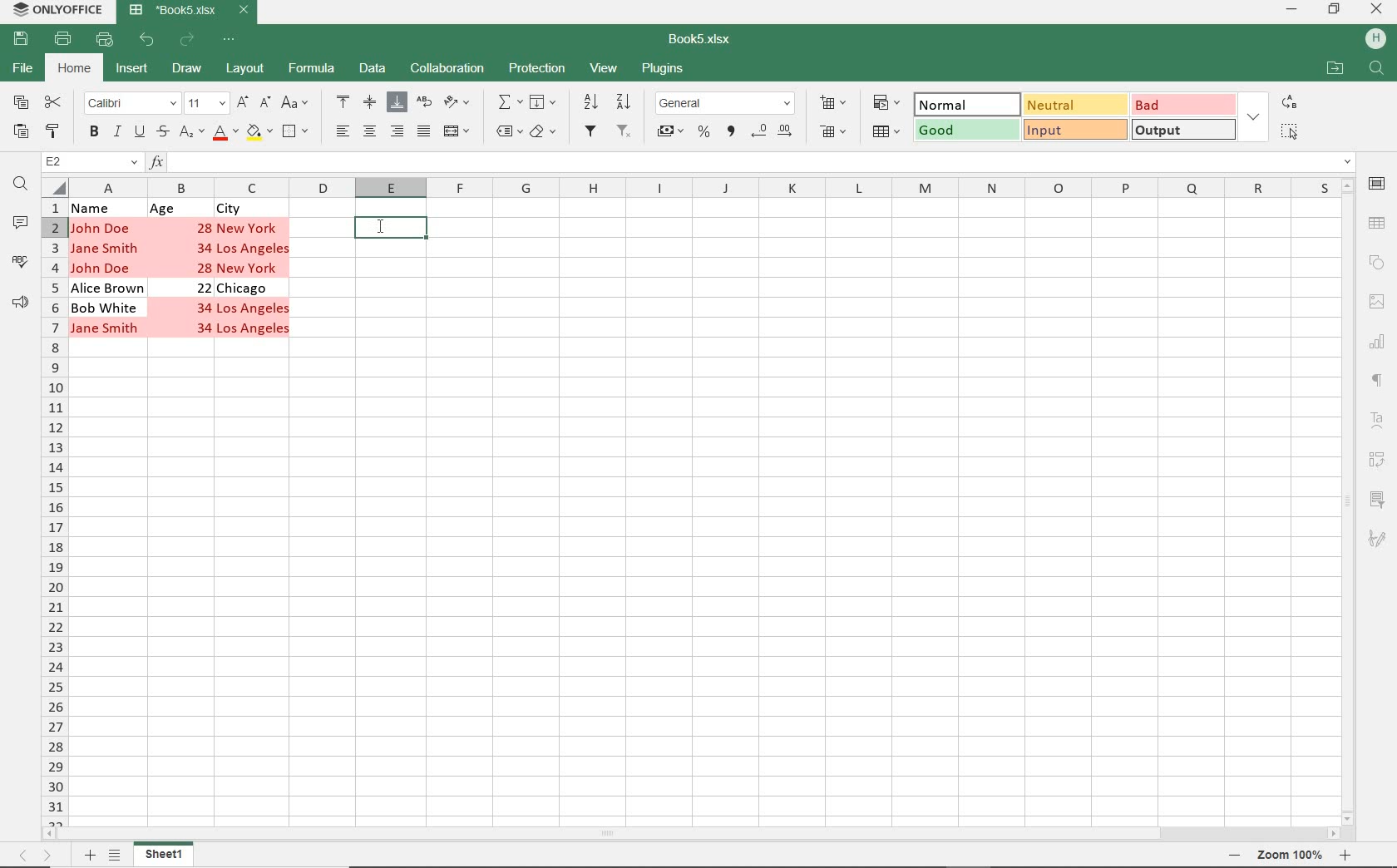 This screenshot has height=868, width=1397. What do you see at coordinates (91, 162) in the screenshot?
I see `NAME MANAGER` at bounding box center [91, 162].